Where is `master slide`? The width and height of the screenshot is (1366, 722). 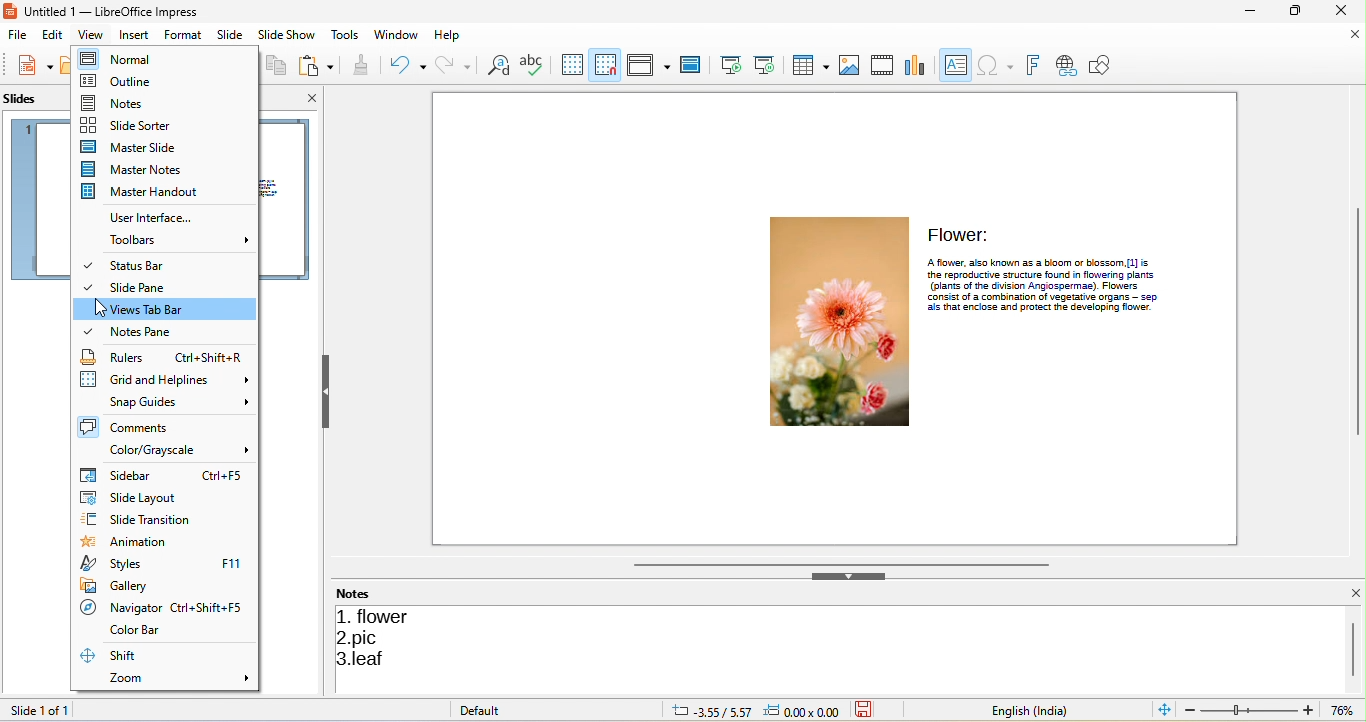 master slide is located at coordinates (692, 65).